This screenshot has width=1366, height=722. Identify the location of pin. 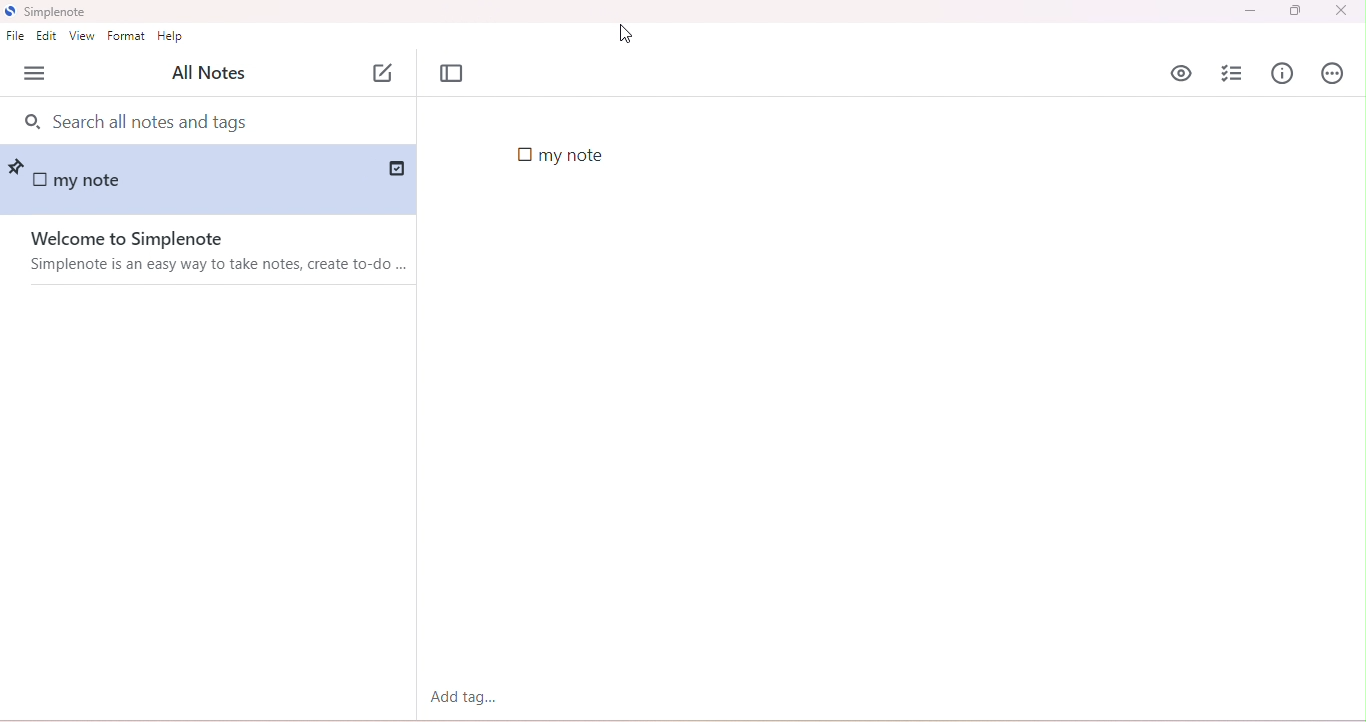
(19, 164).